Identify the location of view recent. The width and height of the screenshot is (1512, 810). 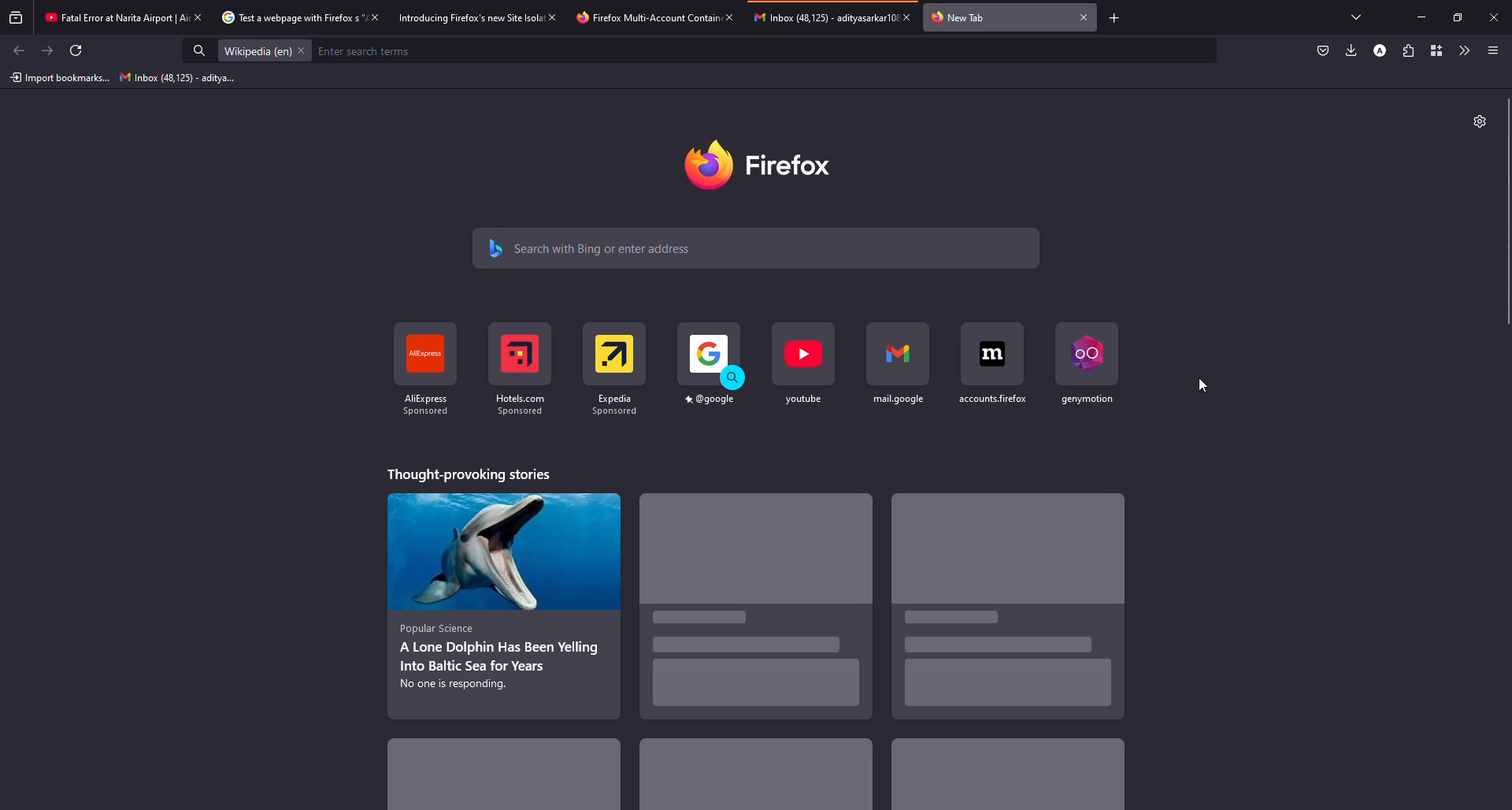
(16, 17).